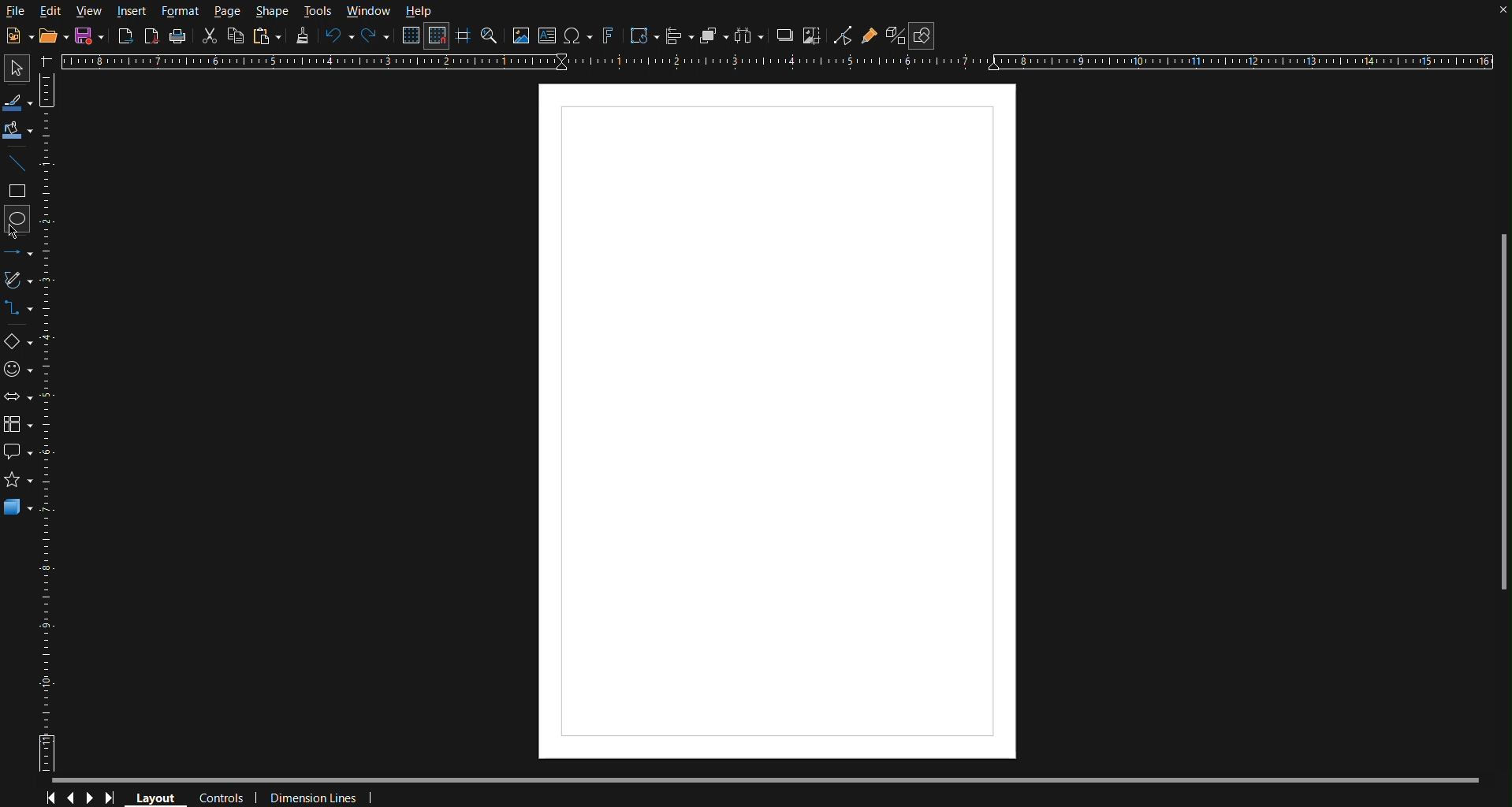  I want to click on Transformation, so click(643, 36).